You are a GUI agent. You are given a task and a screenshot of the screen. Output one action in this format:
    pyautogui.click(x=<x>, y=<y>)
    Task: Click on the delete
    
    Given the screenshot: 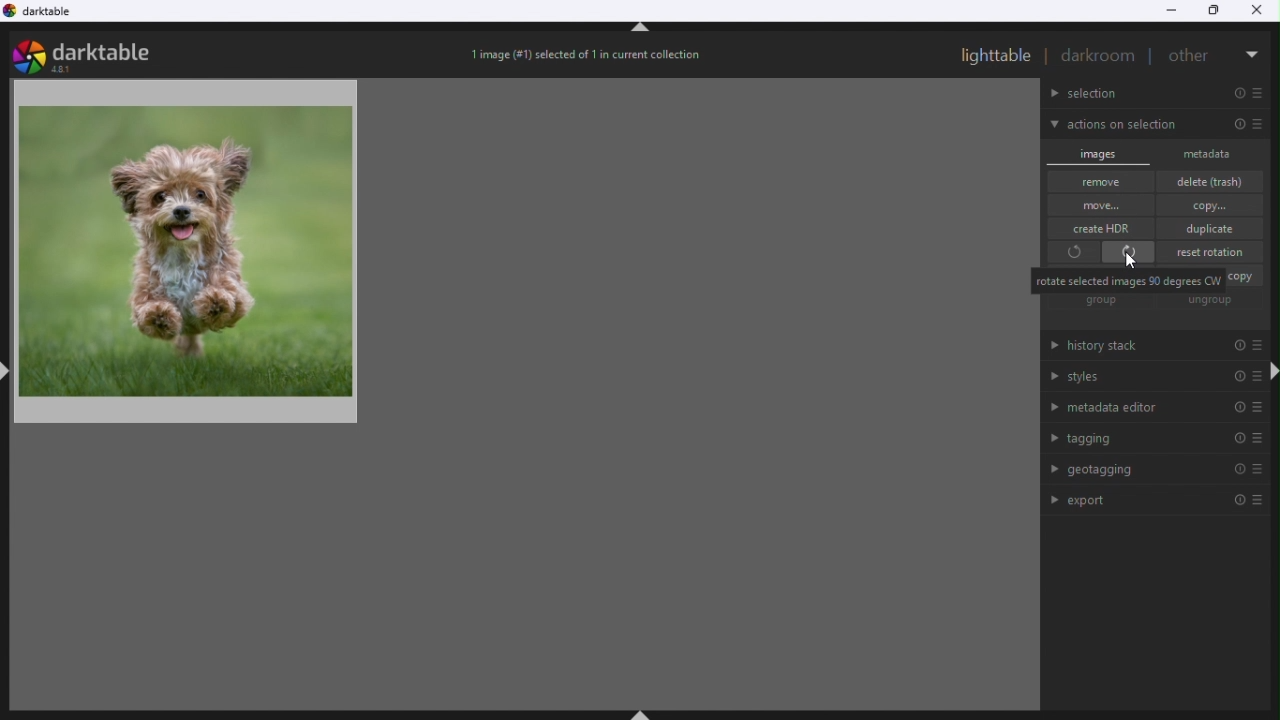 What is the action you would take?
    pyautogui.click(x=1216, y=181)
    